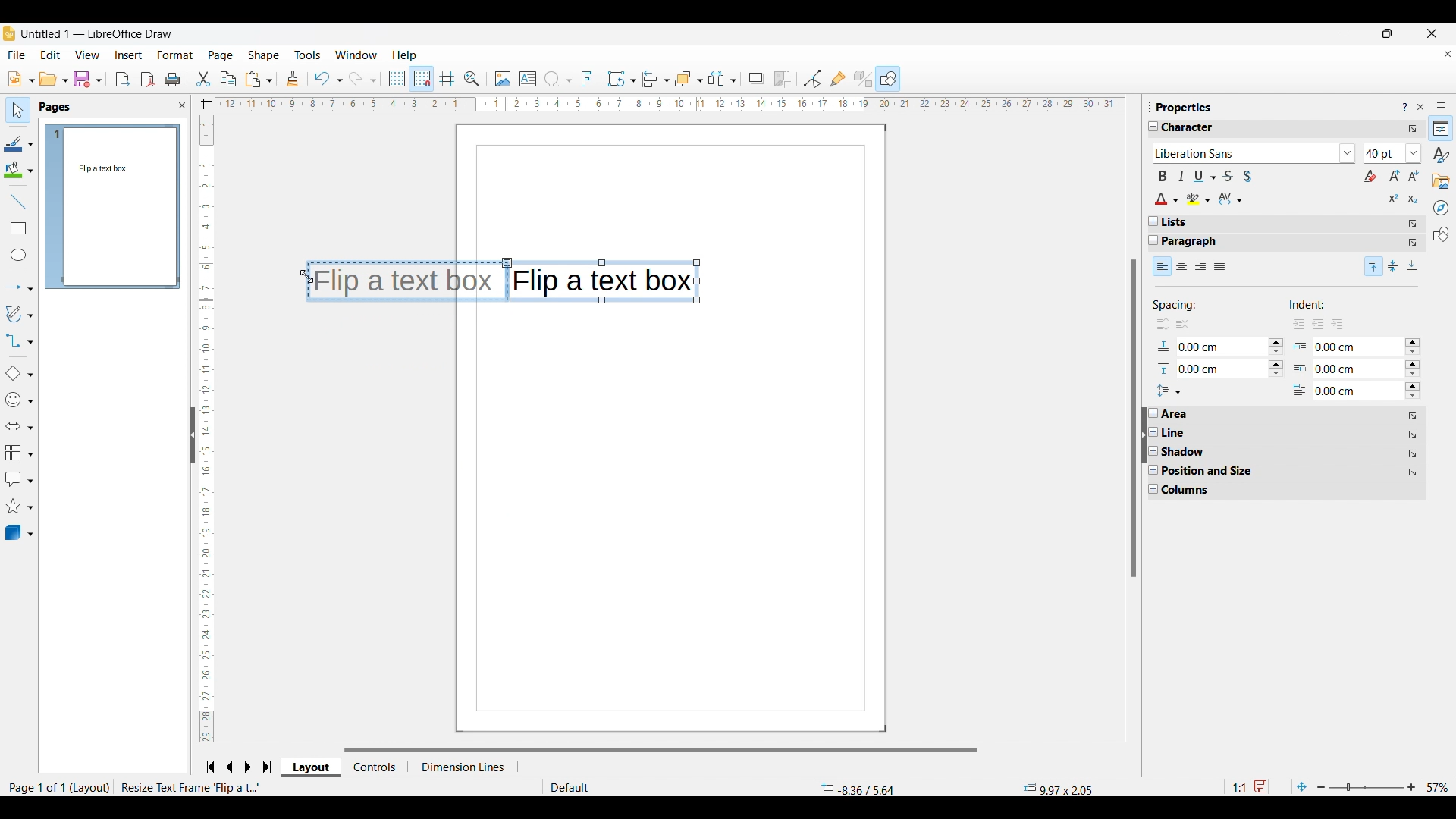 This screenshot has width=1456, height=819. What do you see at coordinates (1157, 324) in the screenshot?
I see `increase space` at bounding box center [1157, 324].